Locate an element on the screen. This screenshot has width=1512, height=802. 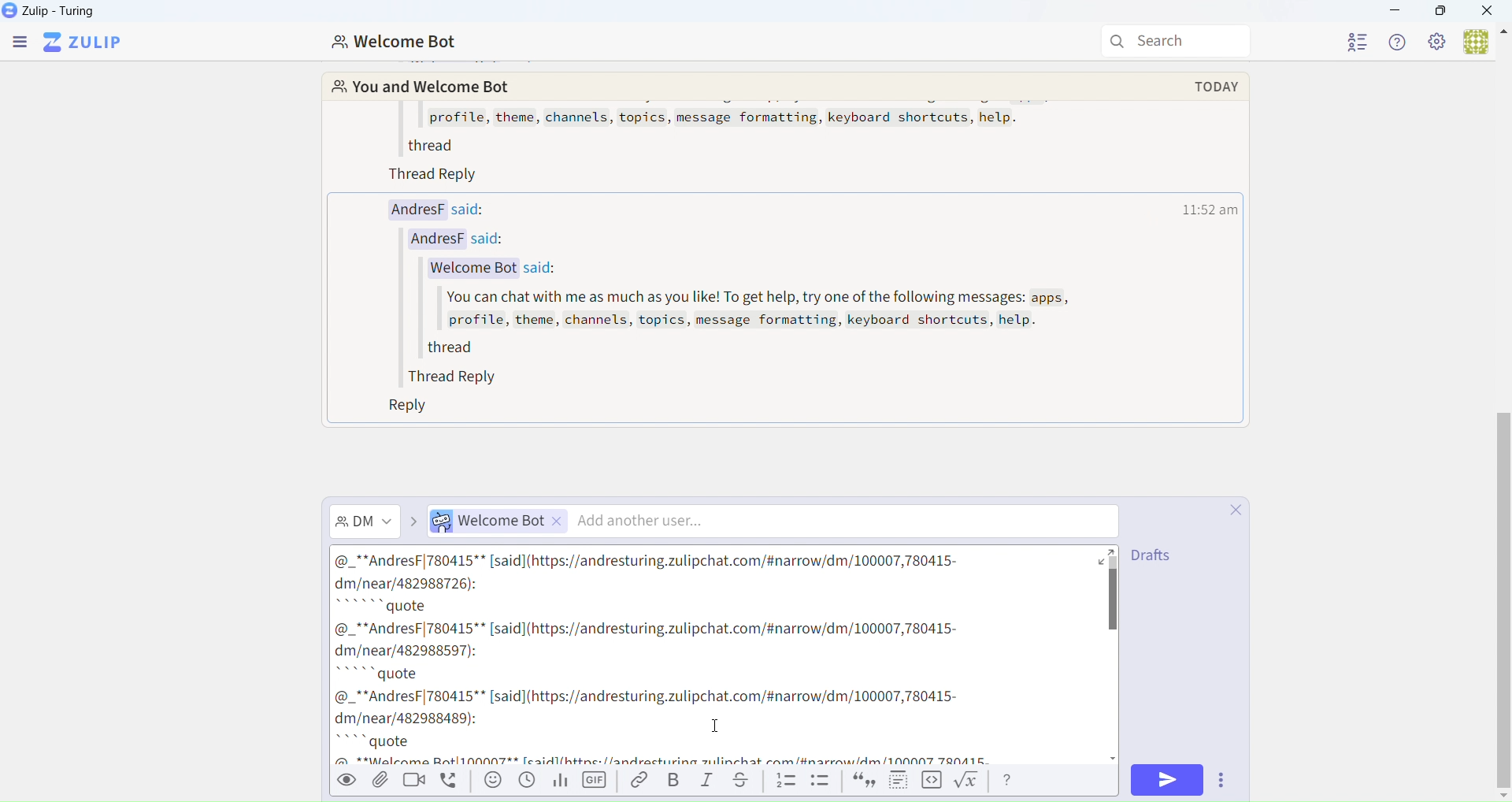
voicecall is located at coordinates (453, 783).